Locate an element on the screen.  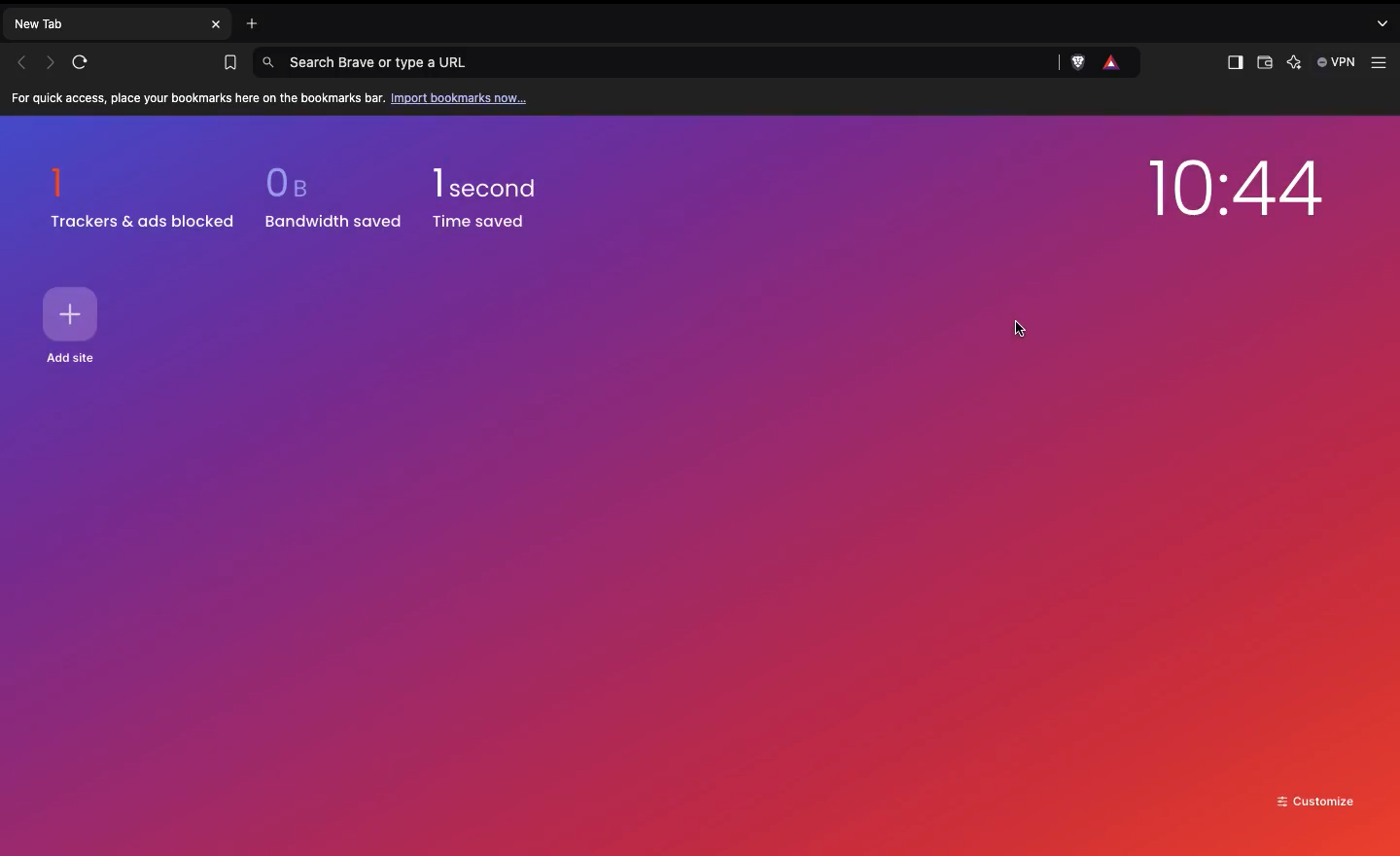
Close new tab is located at coordinates (216, 24).